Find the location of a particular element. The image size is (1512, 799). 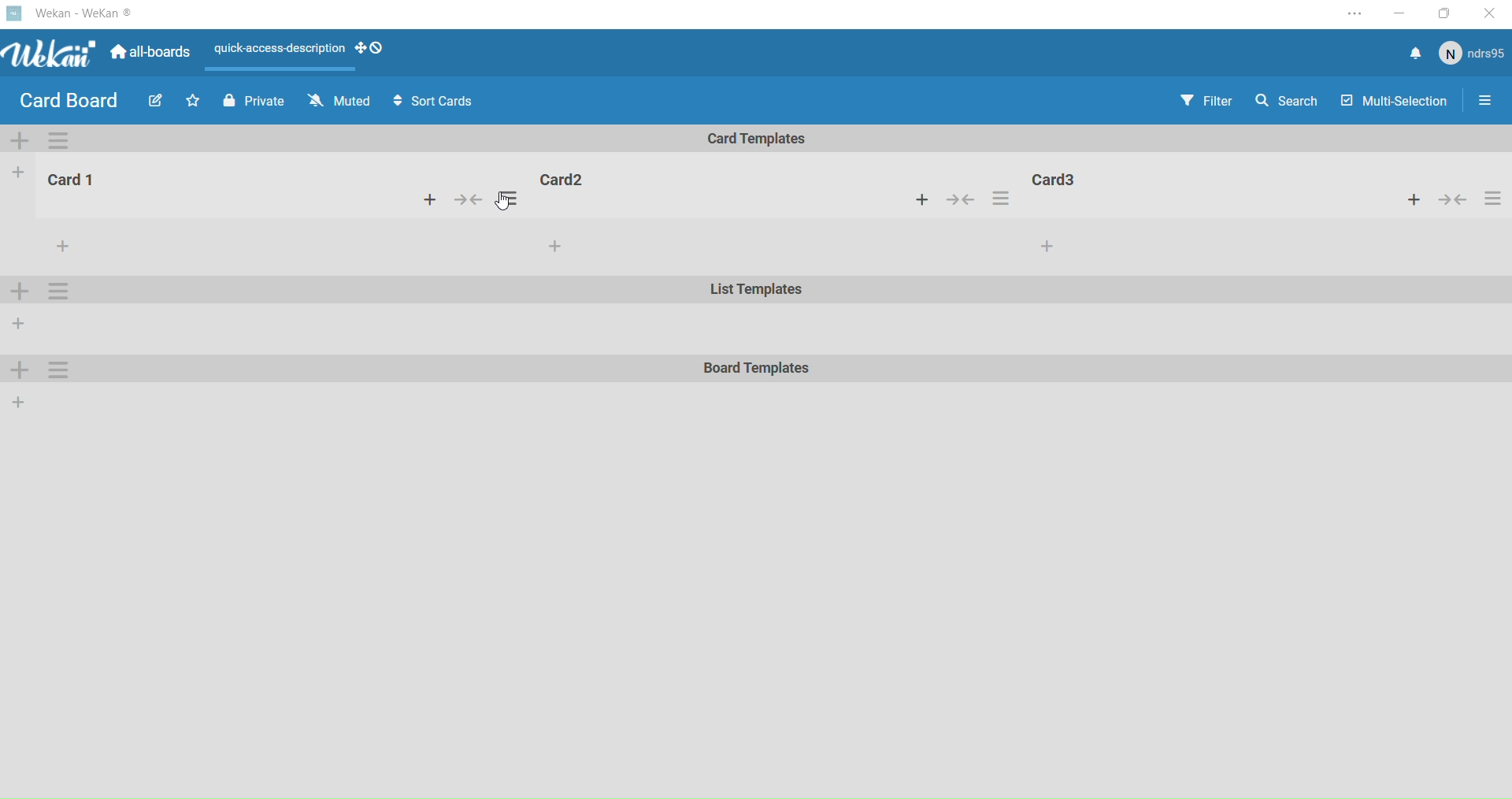

List templates is located at coordinates (754, 292).